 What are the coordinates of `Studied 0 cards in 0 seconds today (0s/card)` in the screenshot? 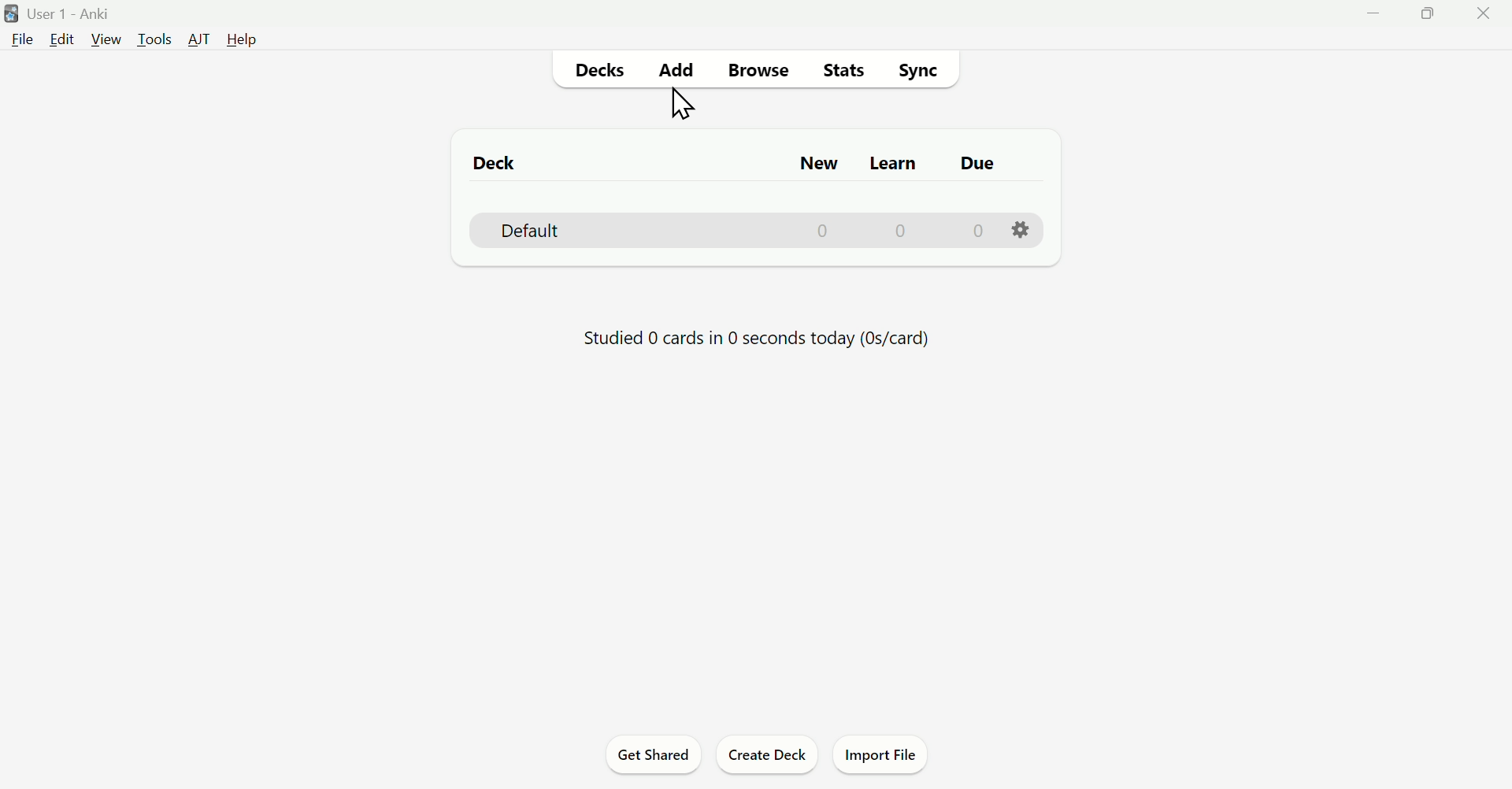 It's located at (754, 340).